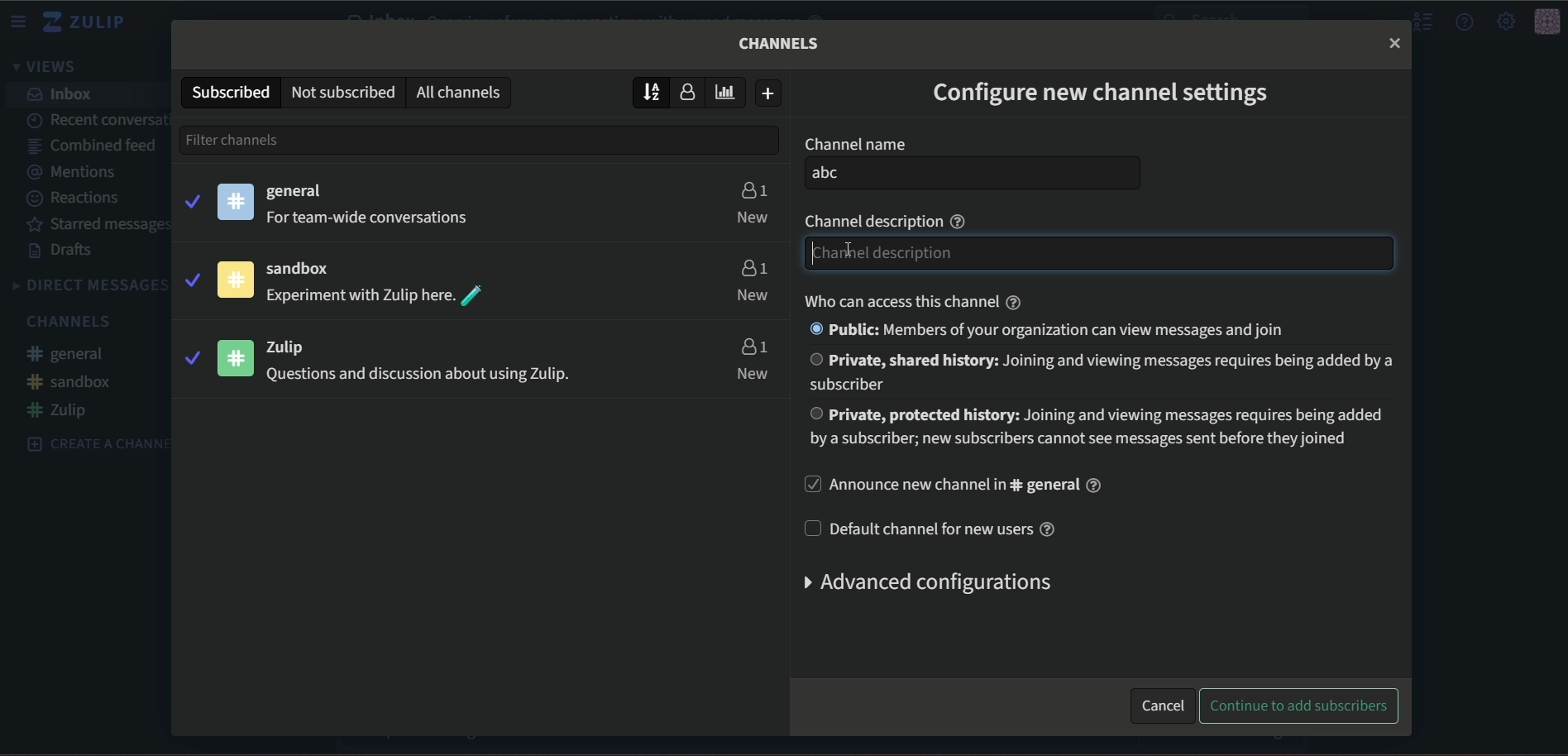 This screenshot has width=1568, height=756. What do you see at coordinates (770, 93) in the screenshot?
I see `add` at bounding box center [770, 93].